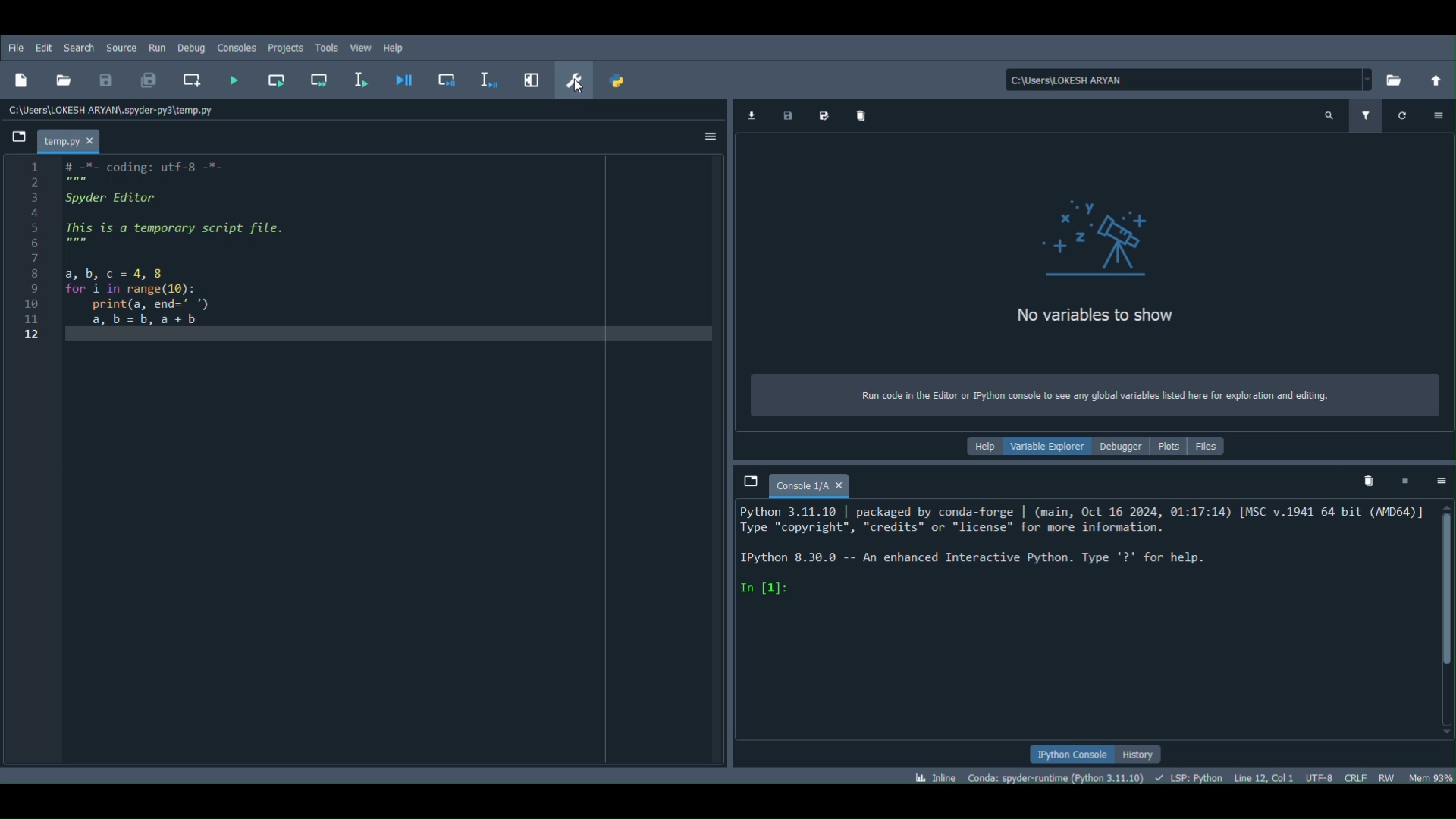 The height and width of the screenshot is (819, 1456). I want to click on No variables to show, so click(1090, 248).